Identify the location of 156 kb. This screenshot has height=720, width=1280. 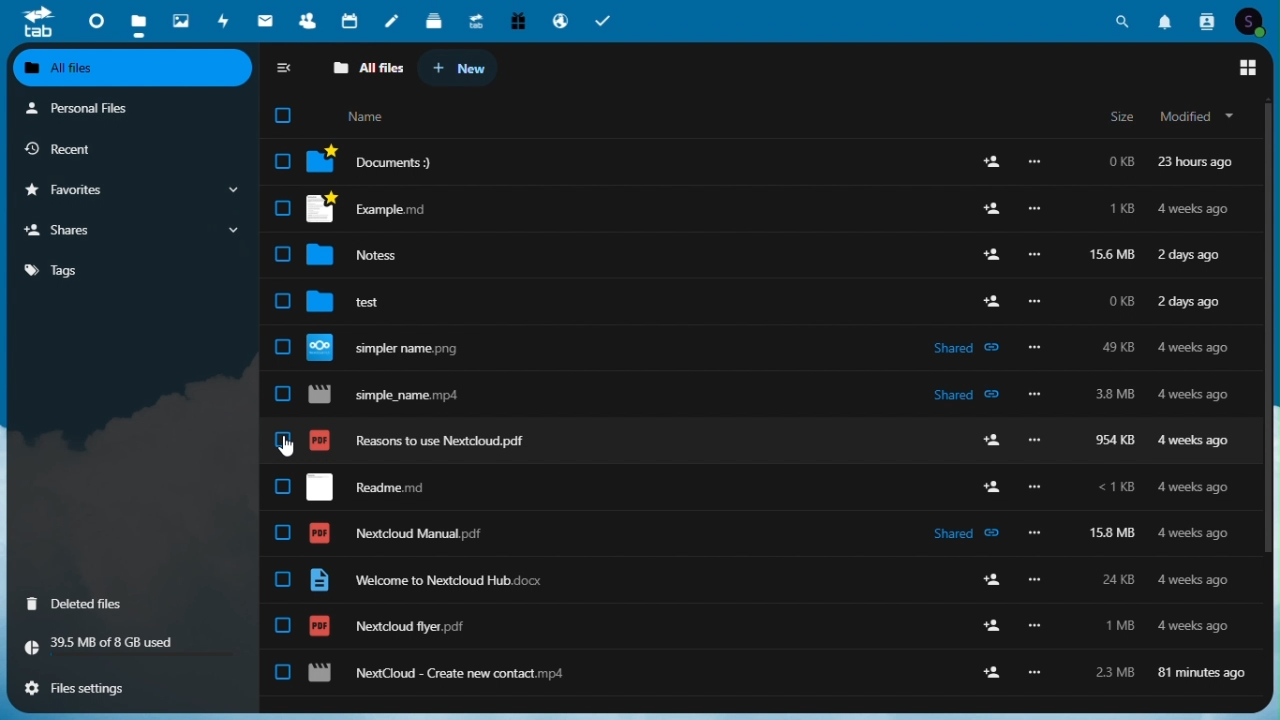
(1111, 256).